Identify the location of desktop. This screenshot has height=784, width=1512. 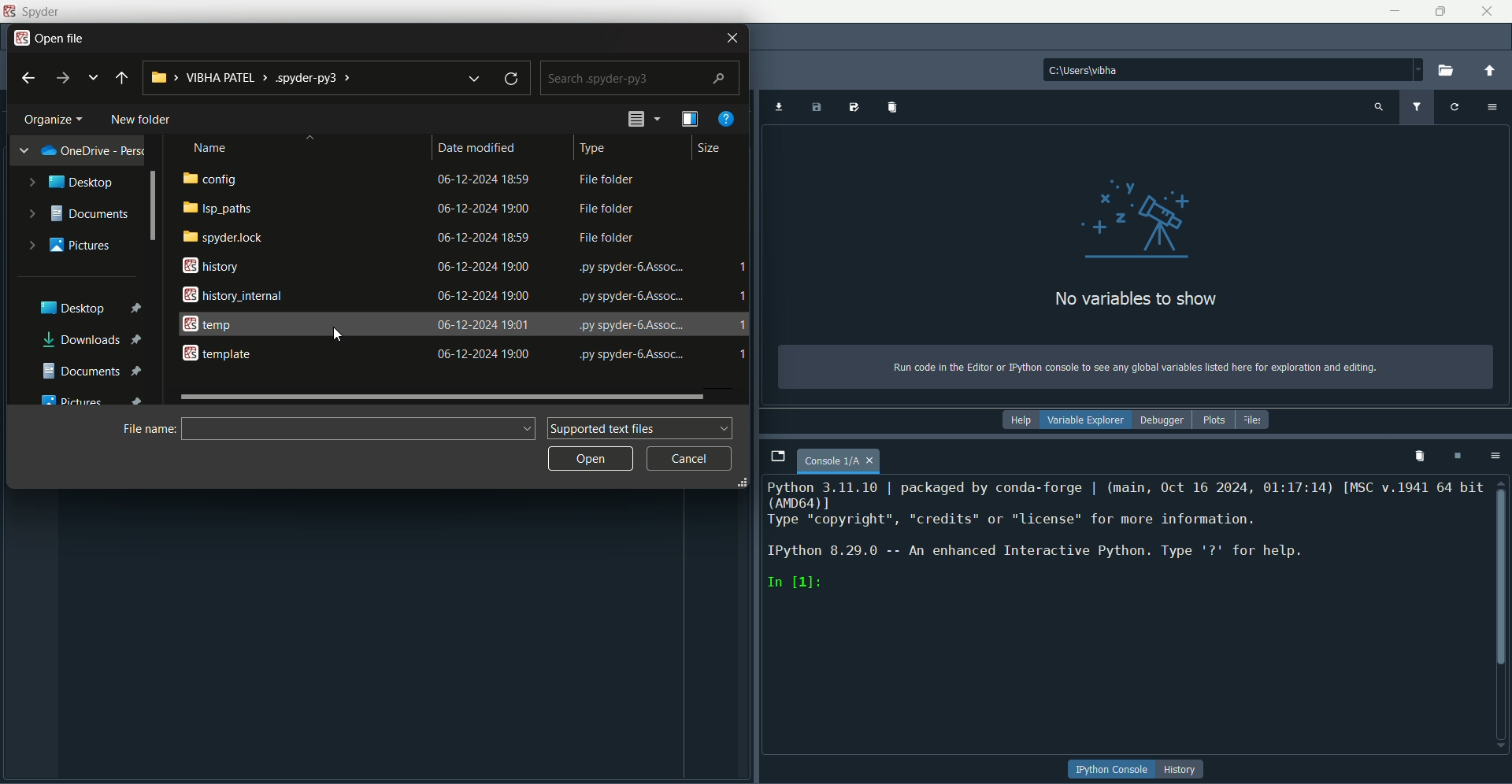
(72, 183).